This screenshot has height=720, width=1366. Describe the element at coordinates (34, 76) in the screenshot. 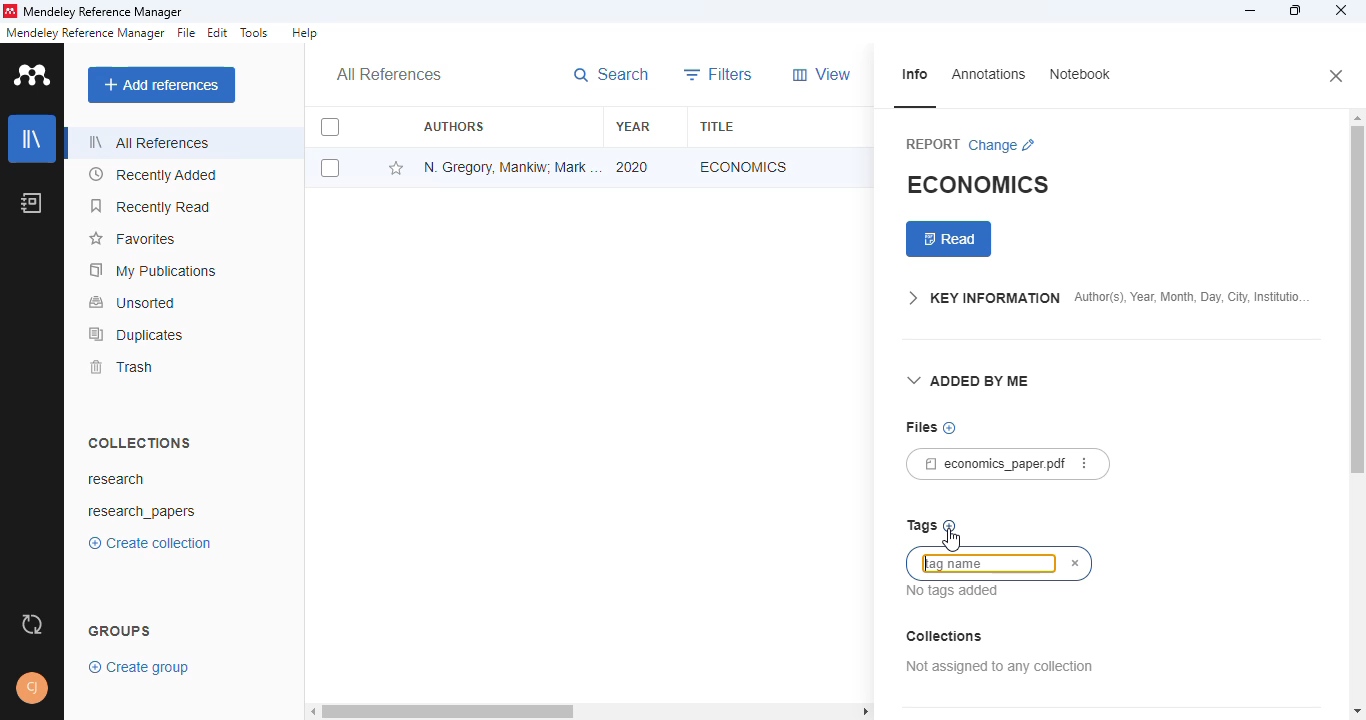

I see `logo` at that location.